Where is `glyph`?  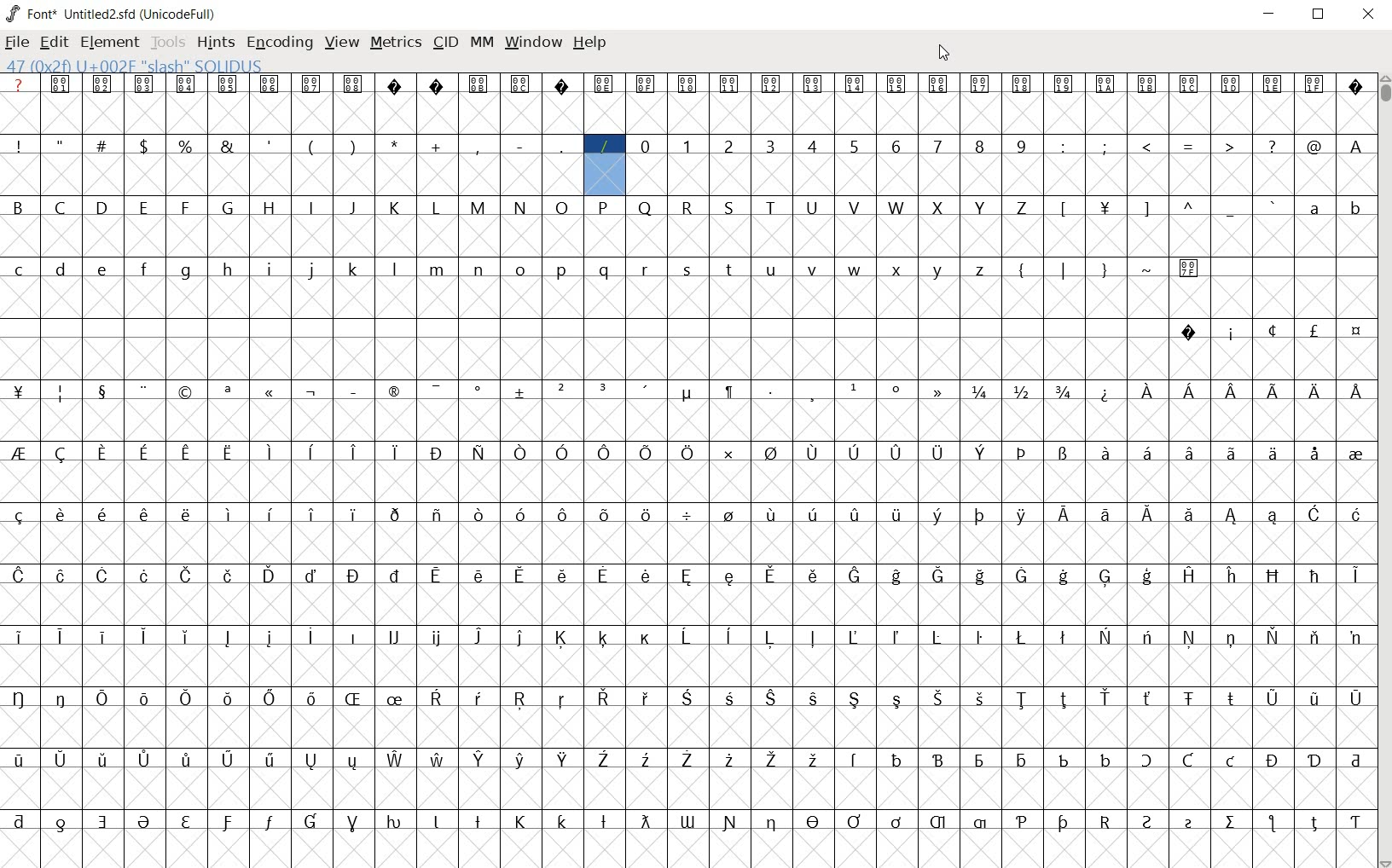
glyph is located at coordinates (186, 454).